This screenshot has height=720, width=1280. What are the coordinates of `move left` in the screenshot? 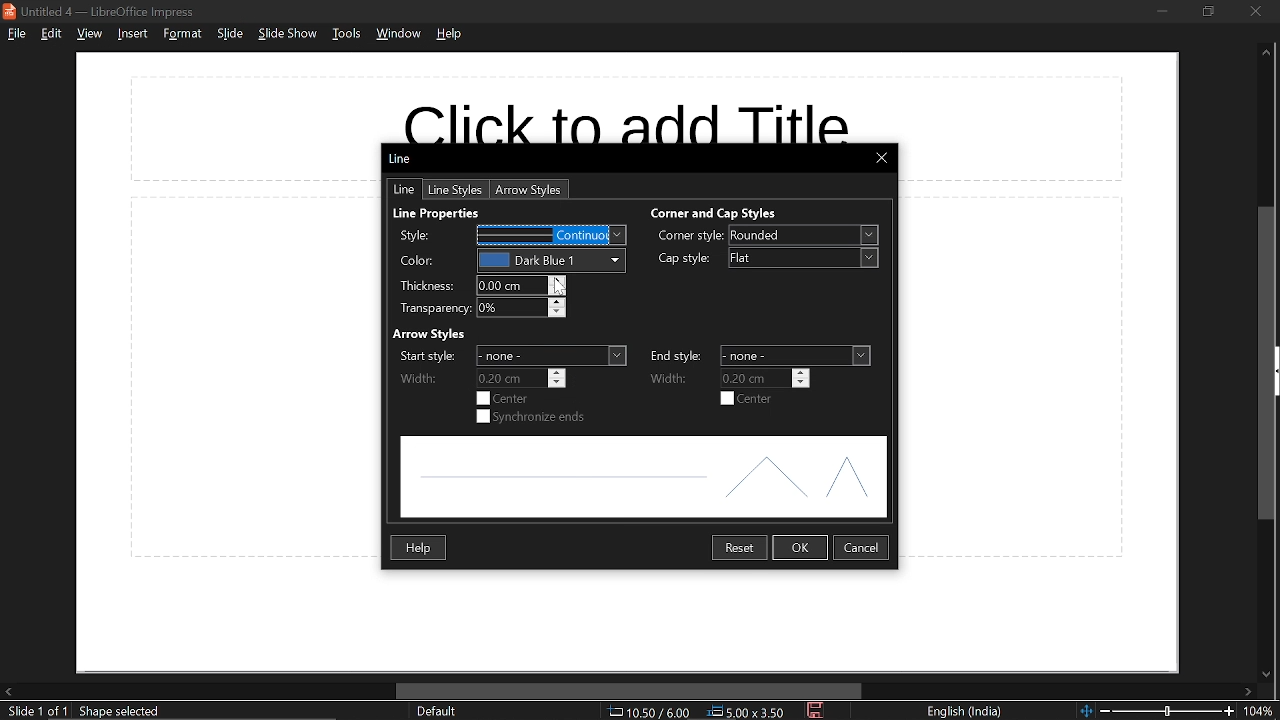 It's located at (8, 690).